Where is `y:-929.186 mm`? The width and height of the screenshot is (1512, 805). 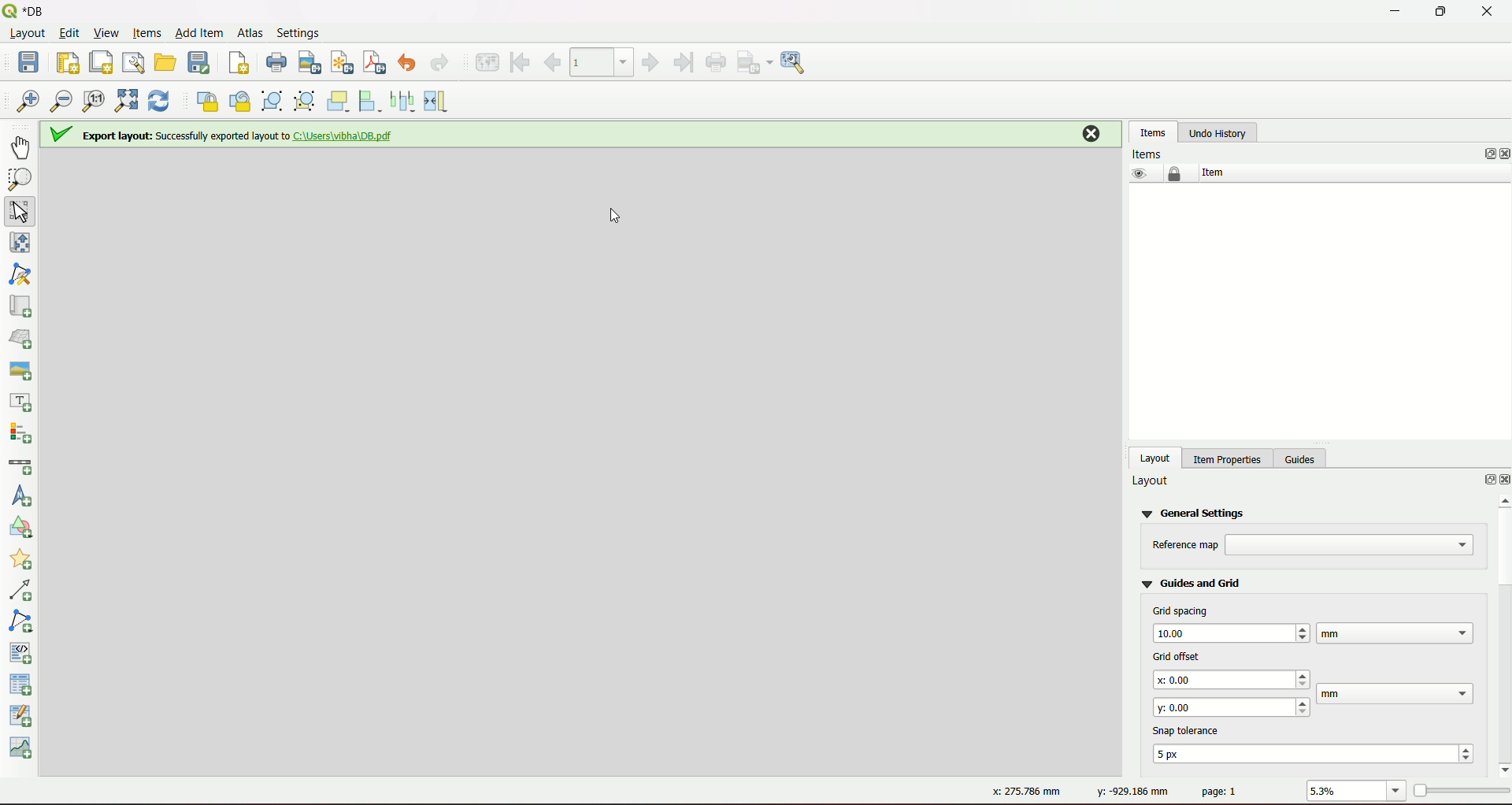
y:-929.186 mm is located at coordinates (1129, 792).